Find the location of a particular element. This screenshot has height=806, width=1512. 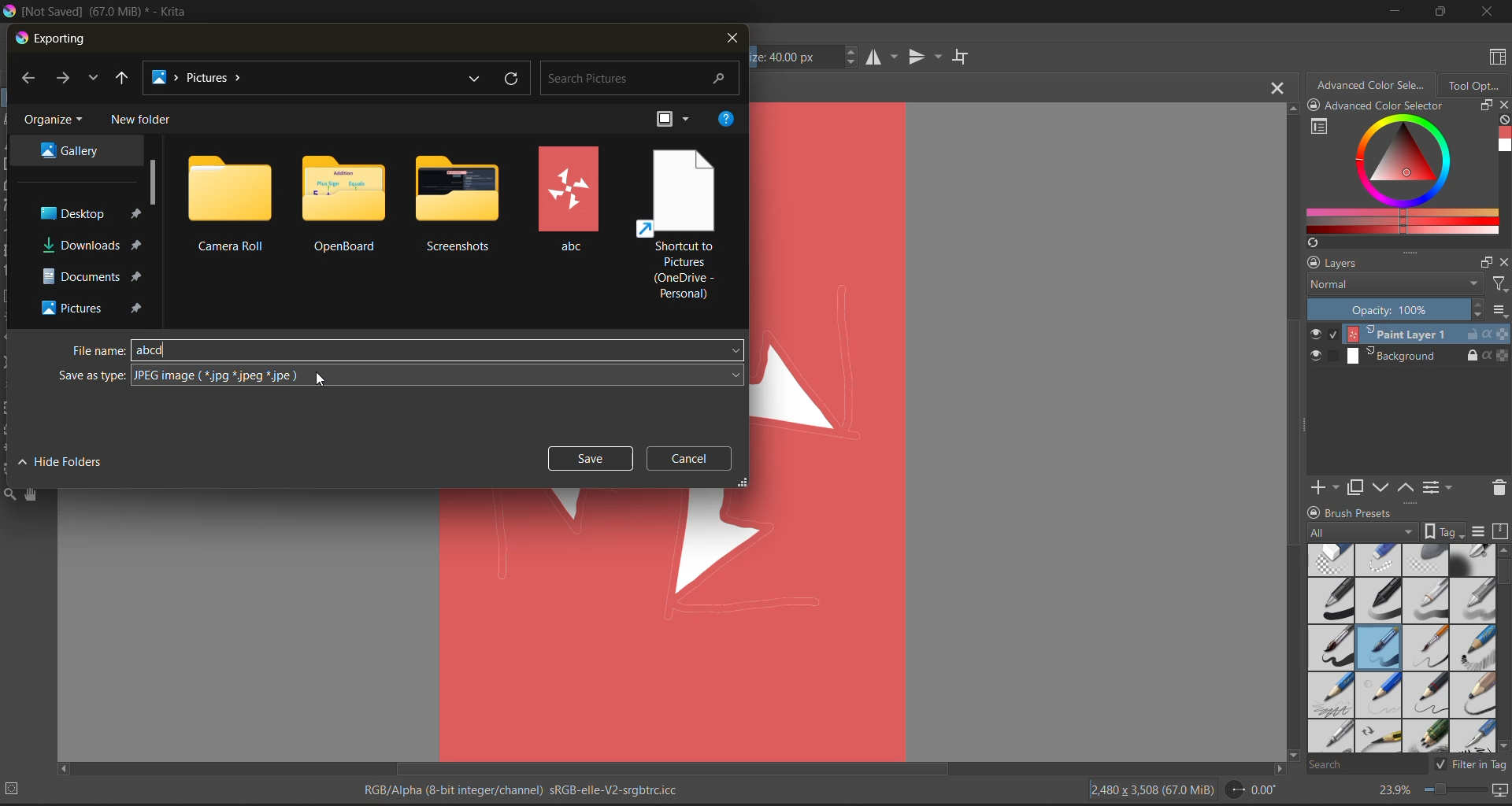

change view is located at coordinates (673, 120).